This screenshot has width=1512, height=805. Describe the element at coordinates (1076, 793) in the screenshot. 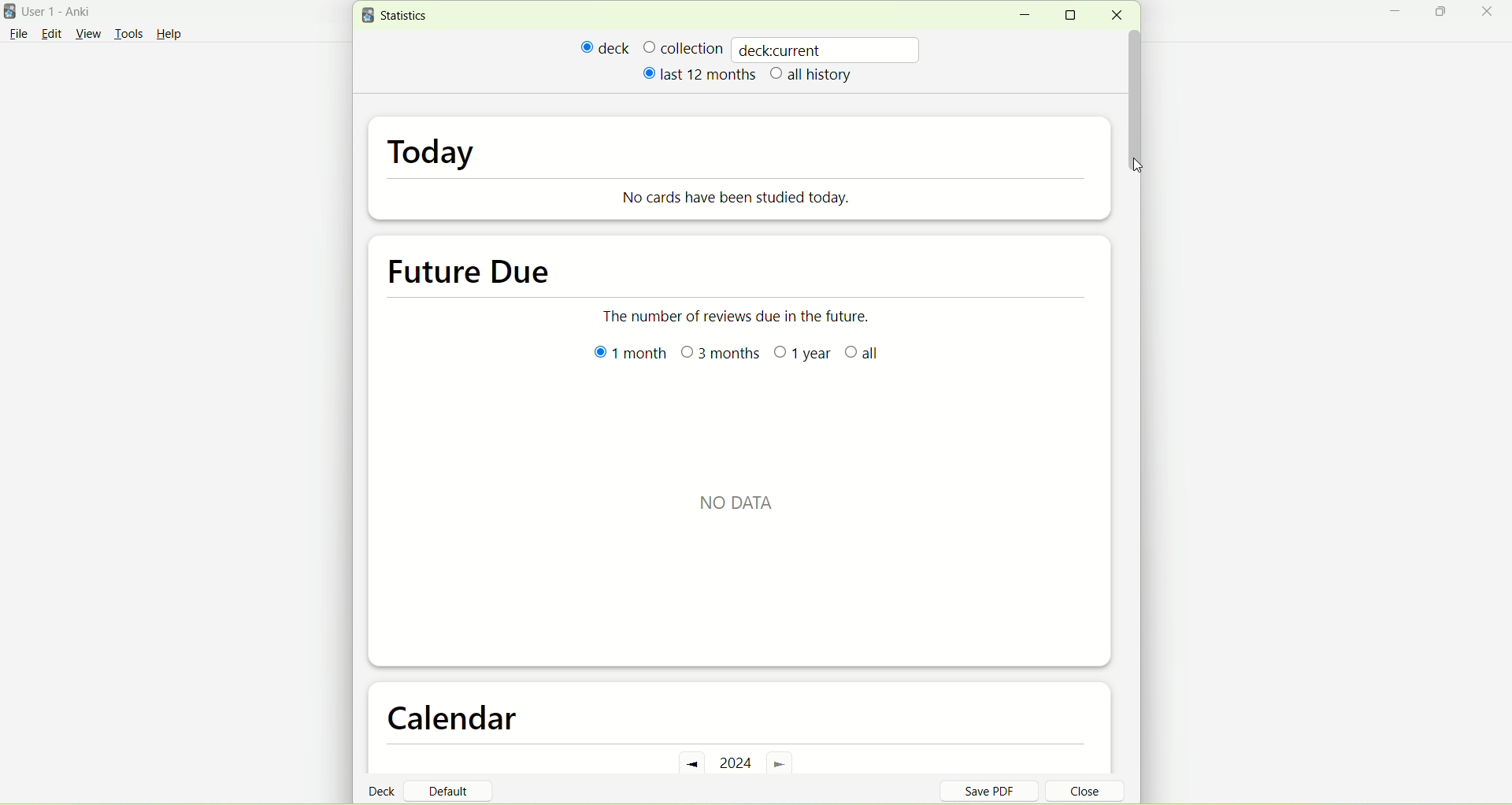

I see `close` at that location.